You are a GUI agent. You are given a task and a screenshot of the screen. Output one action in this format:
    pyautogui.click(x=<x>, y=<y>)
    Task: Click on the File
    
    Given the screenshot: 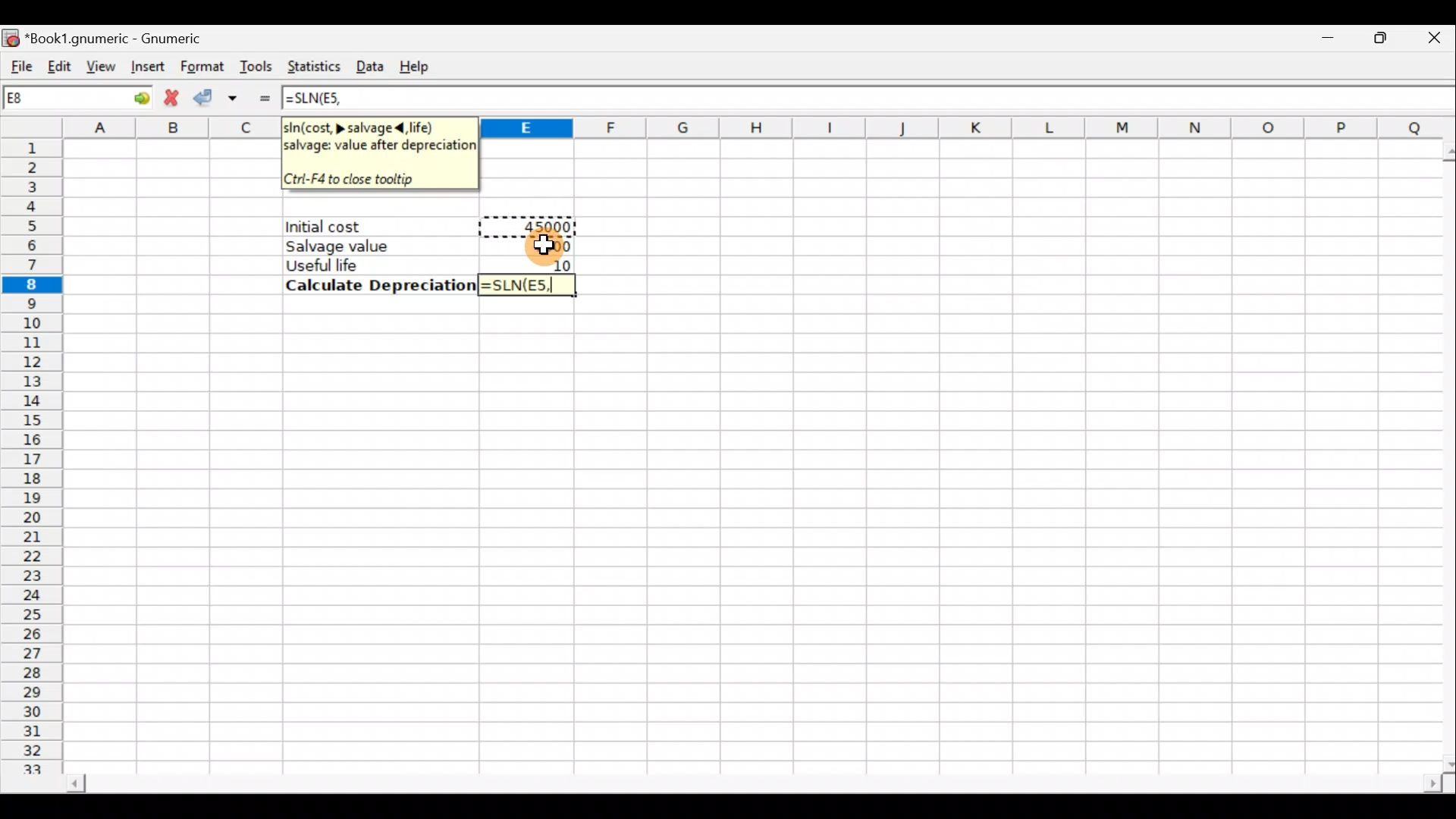 What is the action you would take?
    pyautogui.click(x=19, y=61)
    